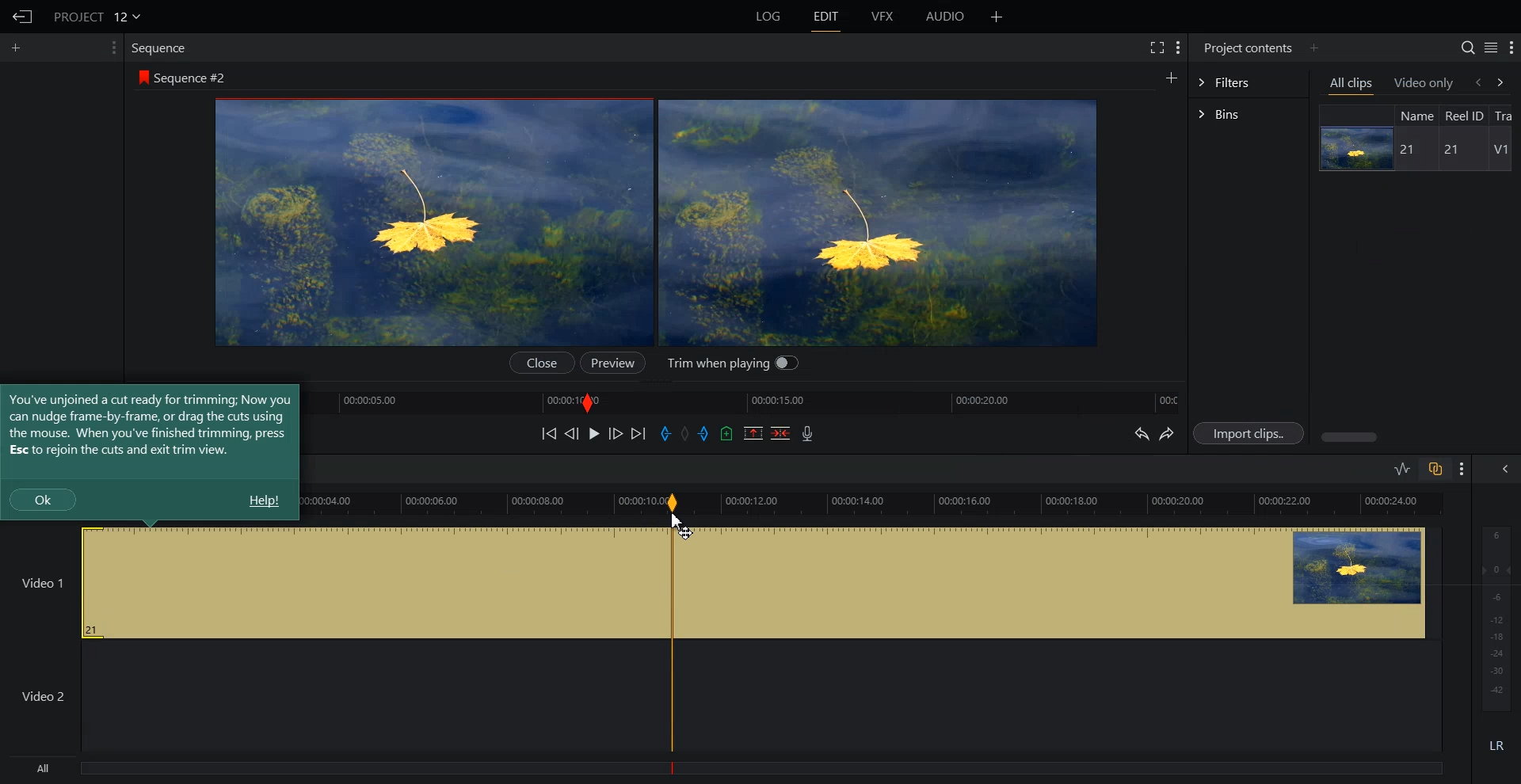 The width and height of the screenshot is (1521, 784). What do you see at coordinates (1248, 432) in the screenshot?
I see `Import clips` at bounding box center [1248, 432].